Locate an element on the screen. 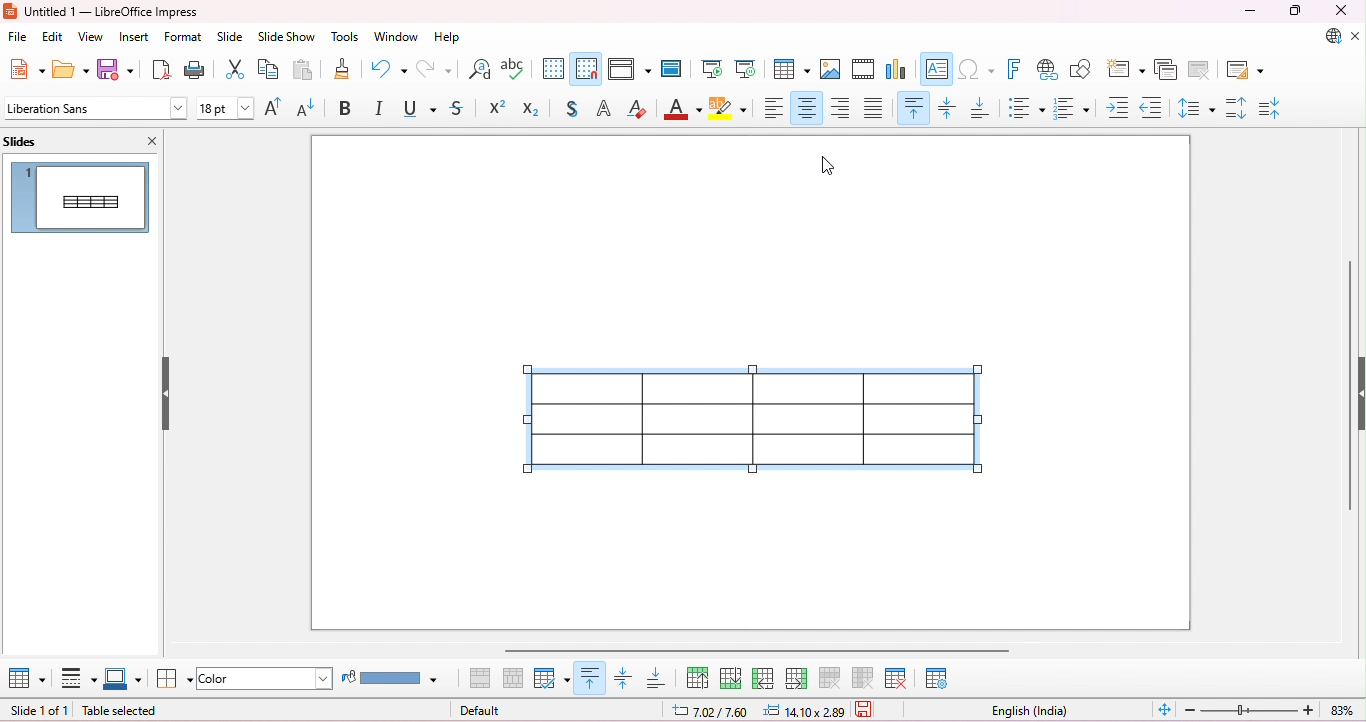 Image resolution: width=1366 pixels, height=722 pixels. insert above is located at coordinates (699, 675).